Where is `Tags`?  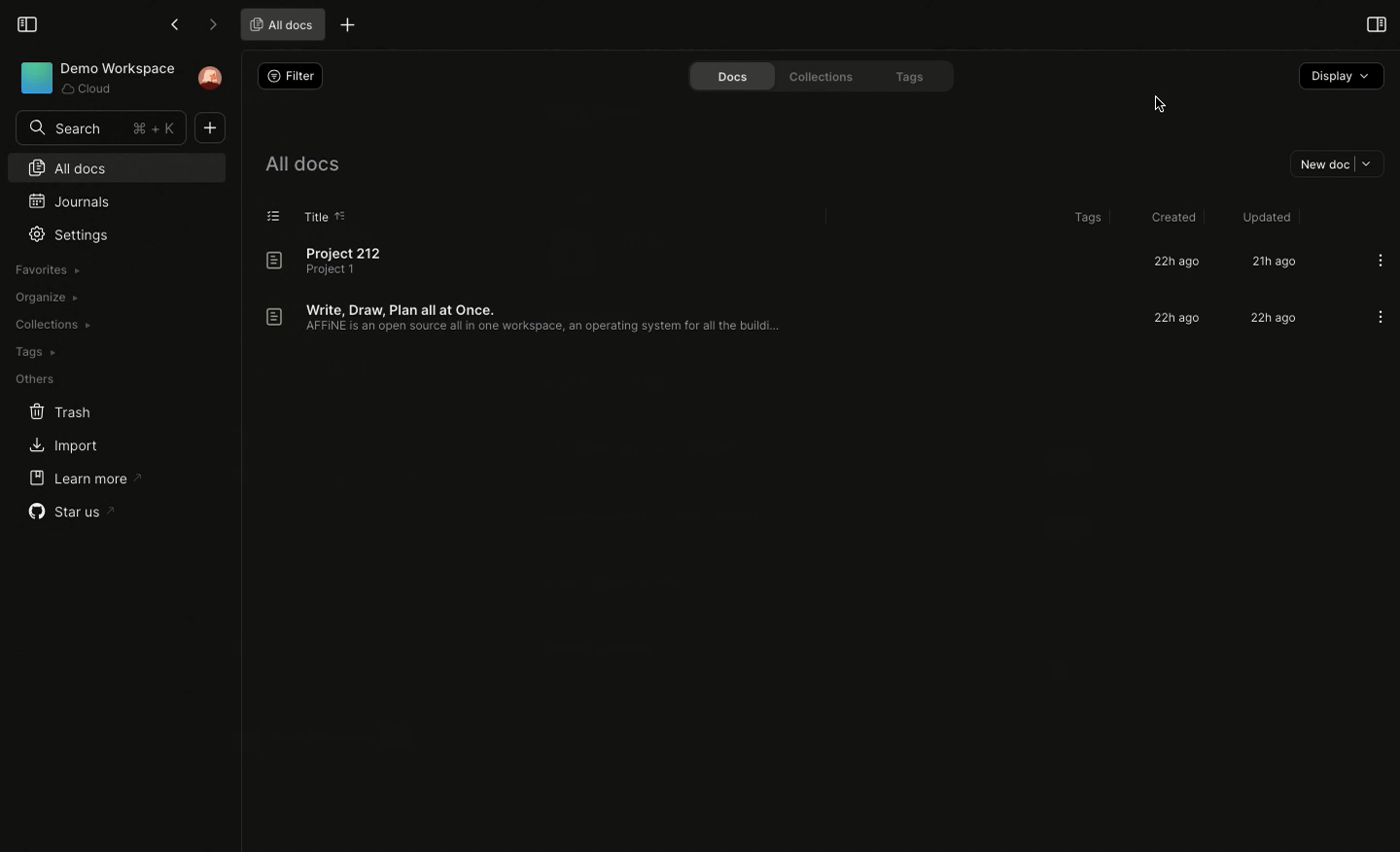 Tags is located at coordinates (1085, 218).